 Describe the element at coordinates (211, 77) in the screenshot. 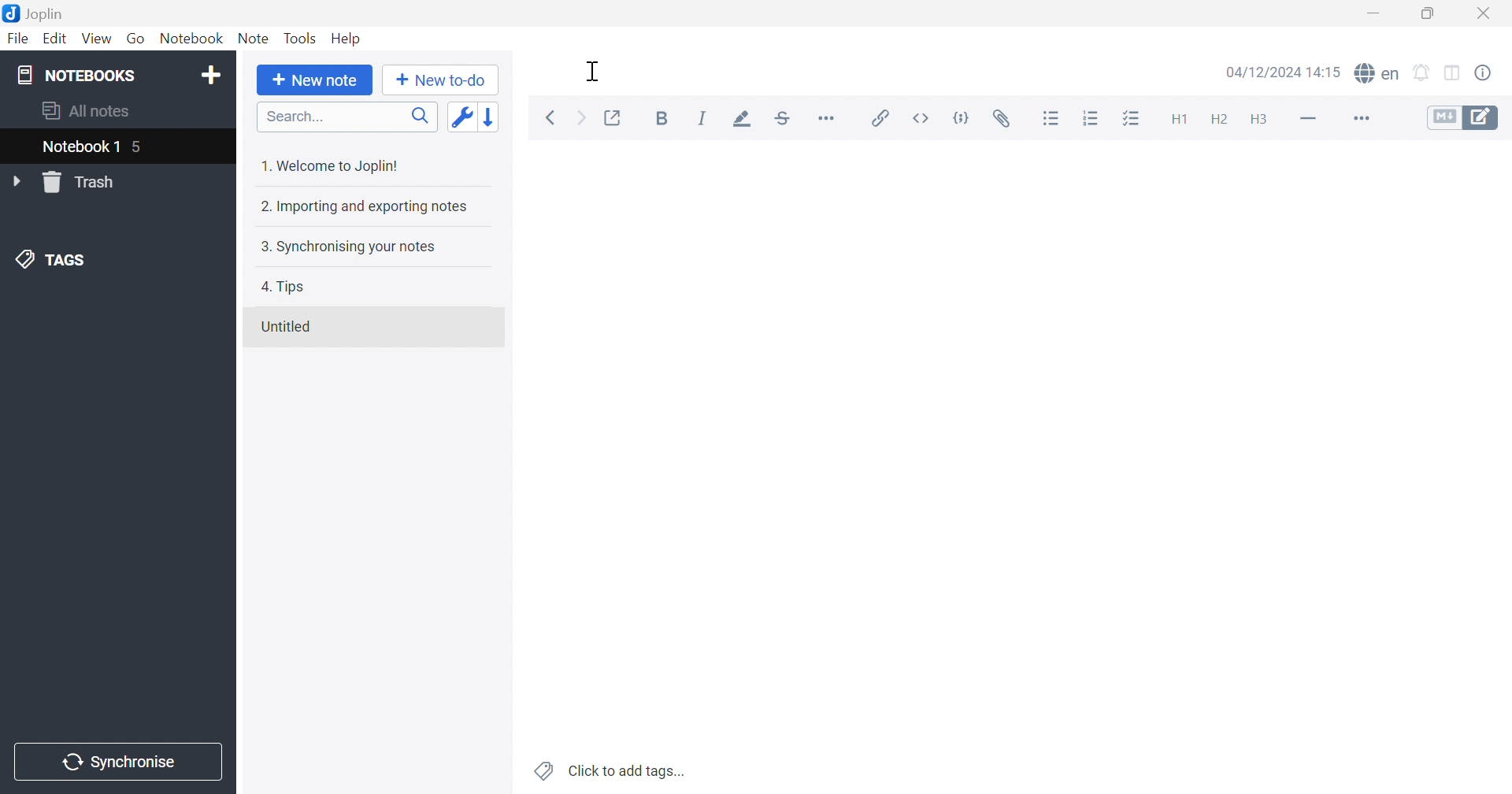

I see `Add notebook` at that location.